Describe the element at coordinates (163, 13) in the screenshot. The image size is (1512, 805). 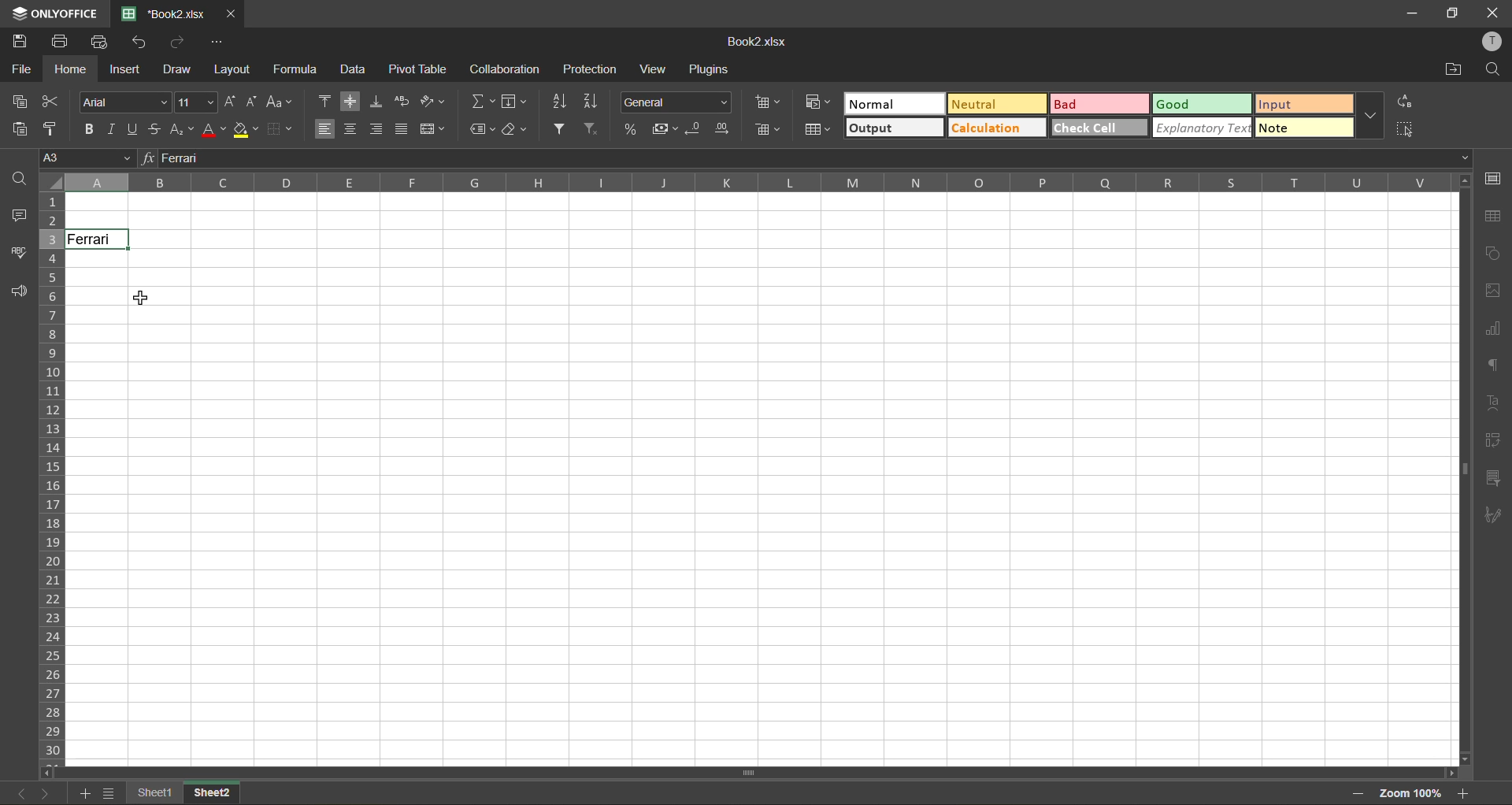
I see `file name` at that location.